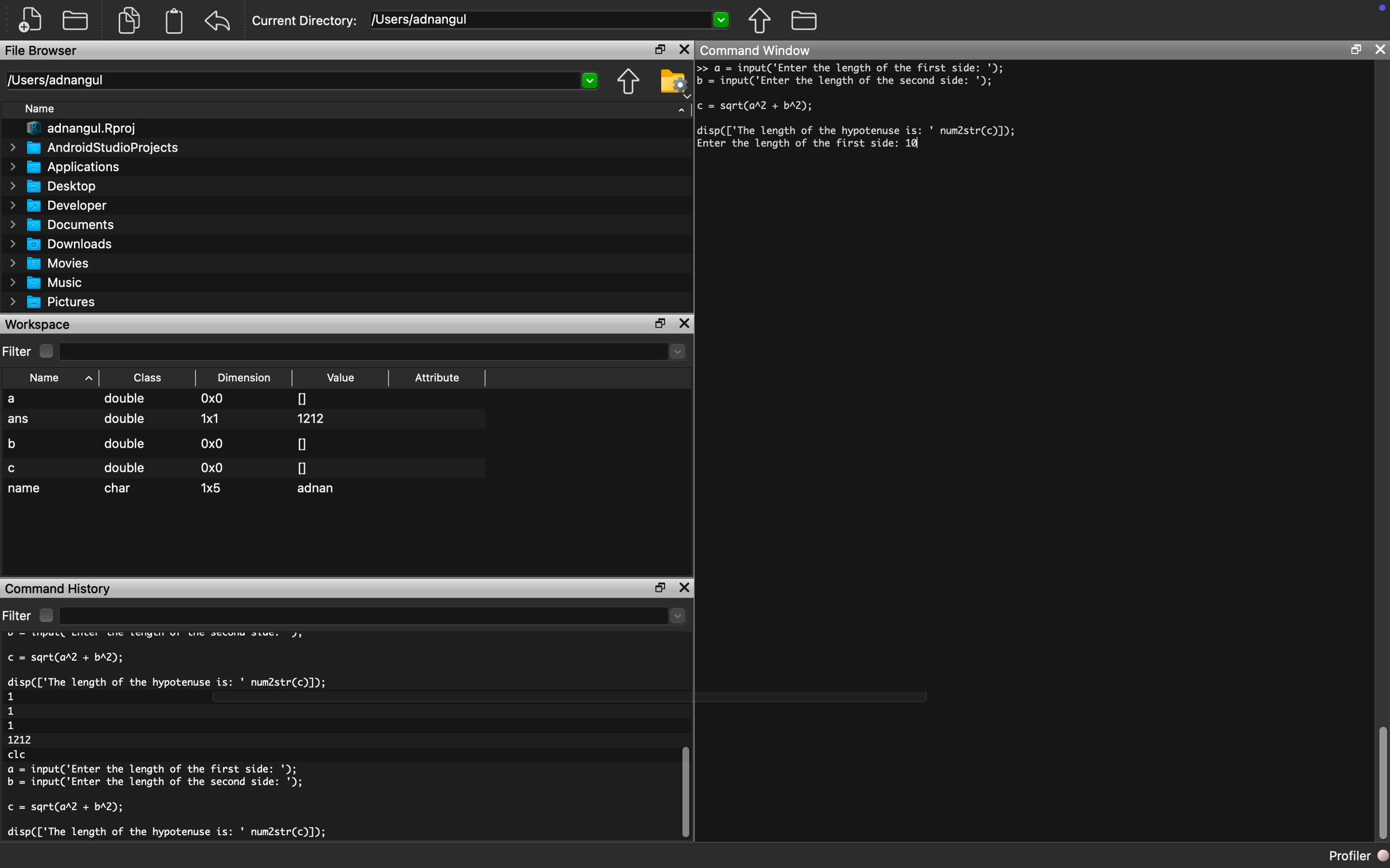 This screenshot has width=1390, height=868. I want to click on Attribute, so click(438, 381).